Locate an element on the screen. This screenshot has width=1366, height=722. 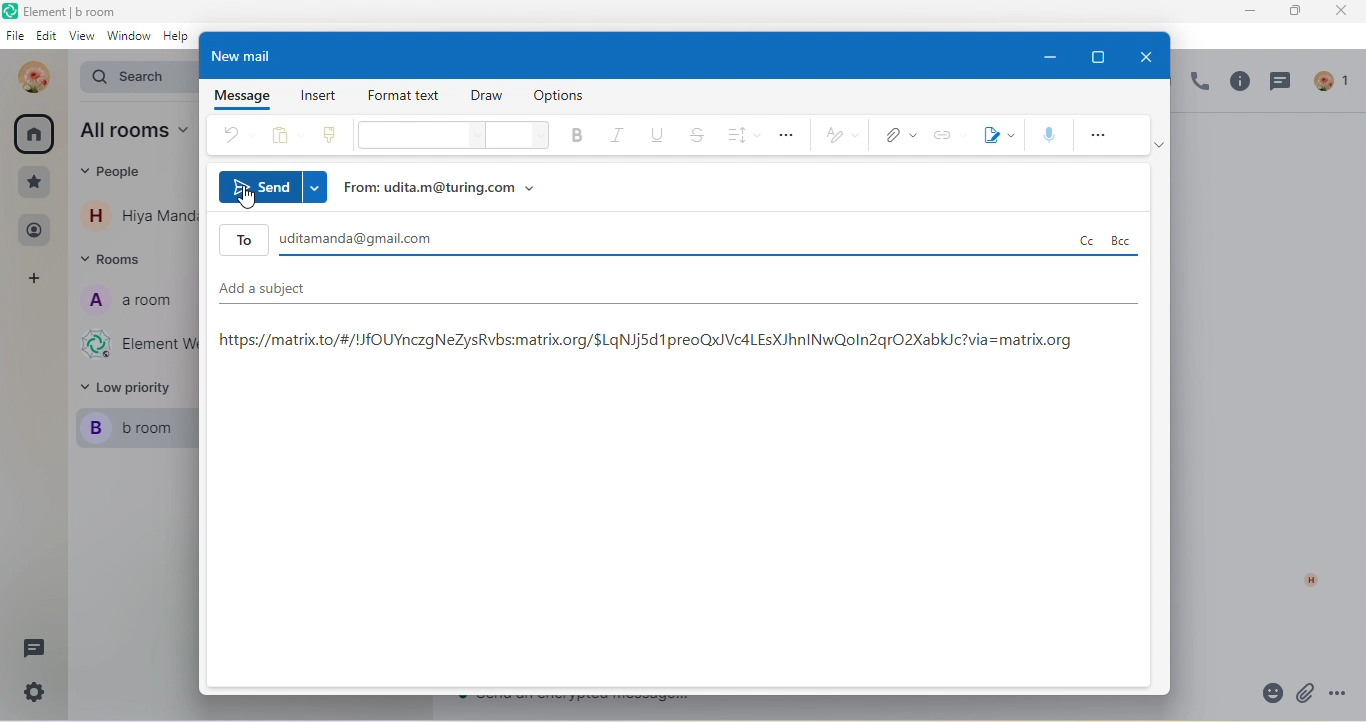
draw is located at coordinates (491, 98).